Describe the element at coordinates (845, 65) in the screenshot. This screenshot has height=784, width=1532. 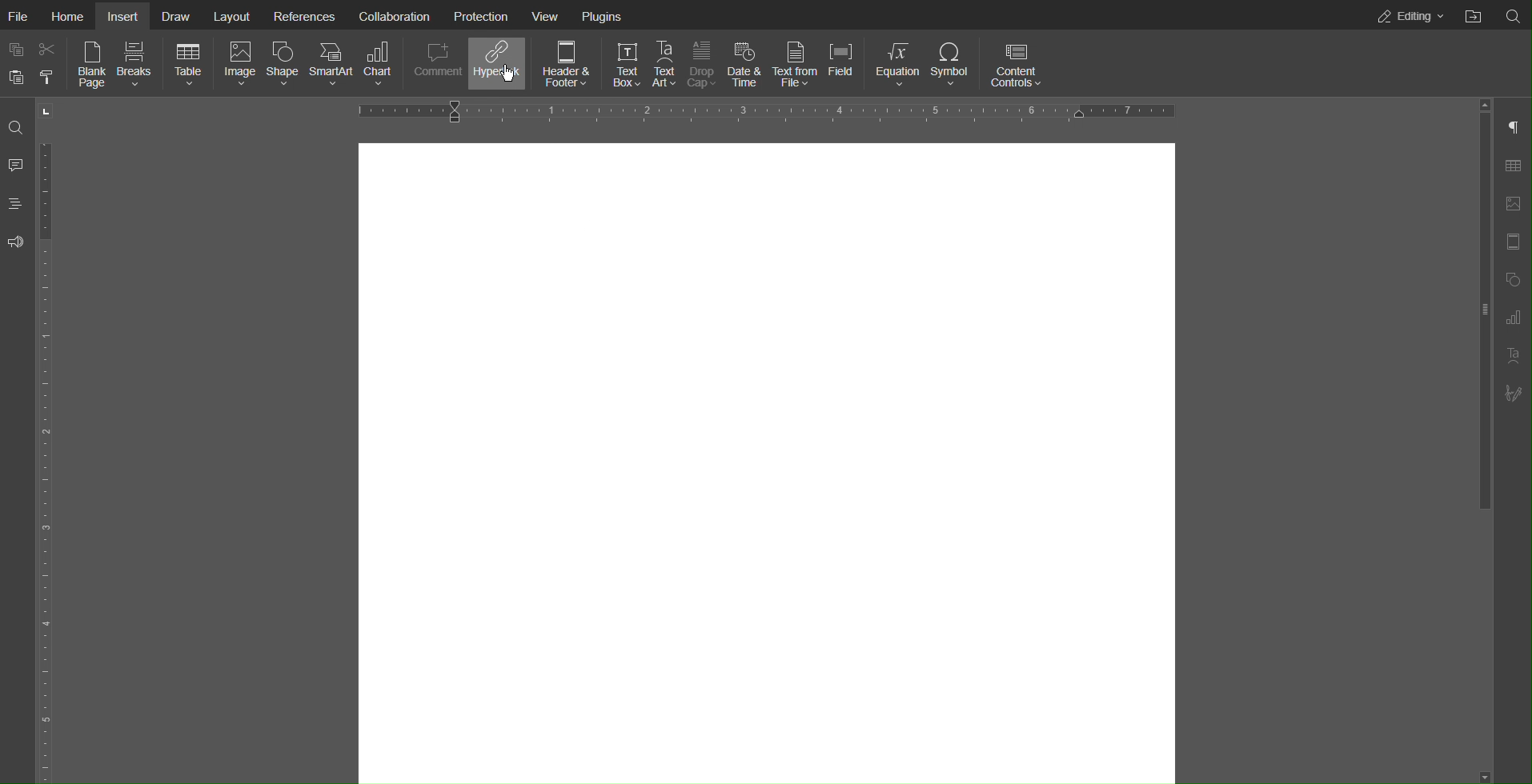
I see `Field` at that location.